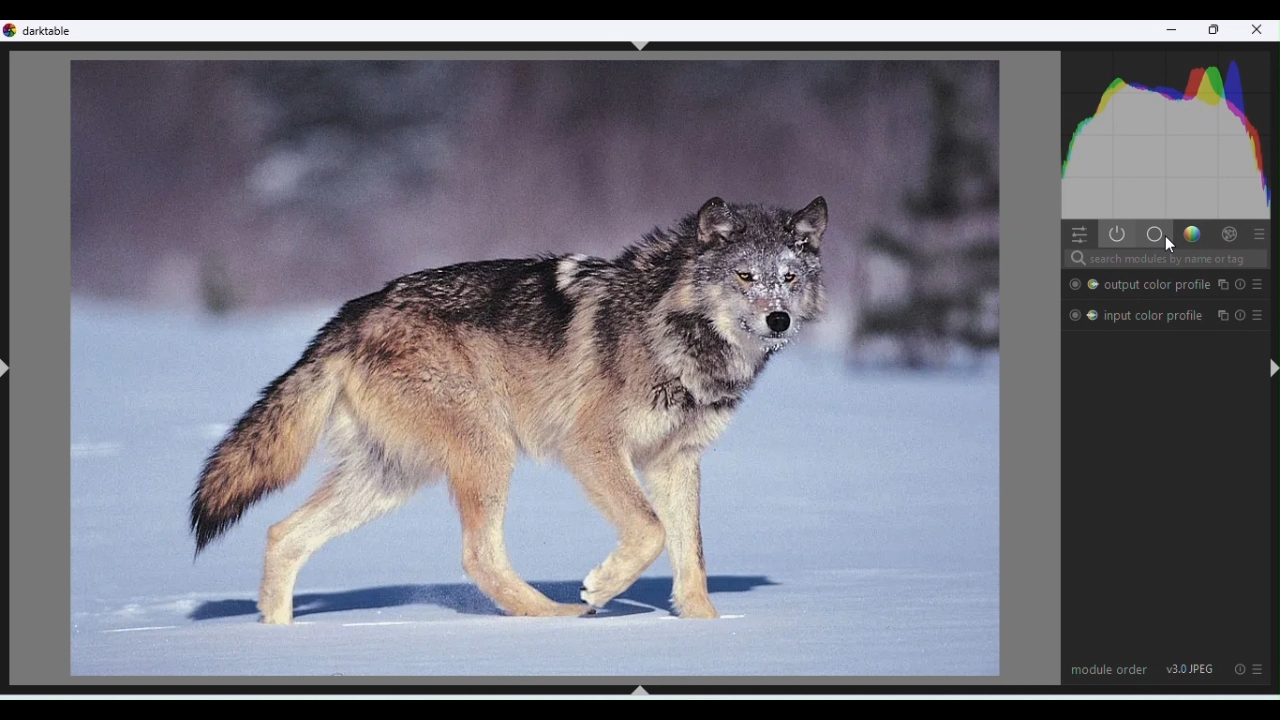  What do you see at coordinates (11, 30) in the screenshot?
I see `logo` at bounding box center [11, 30].